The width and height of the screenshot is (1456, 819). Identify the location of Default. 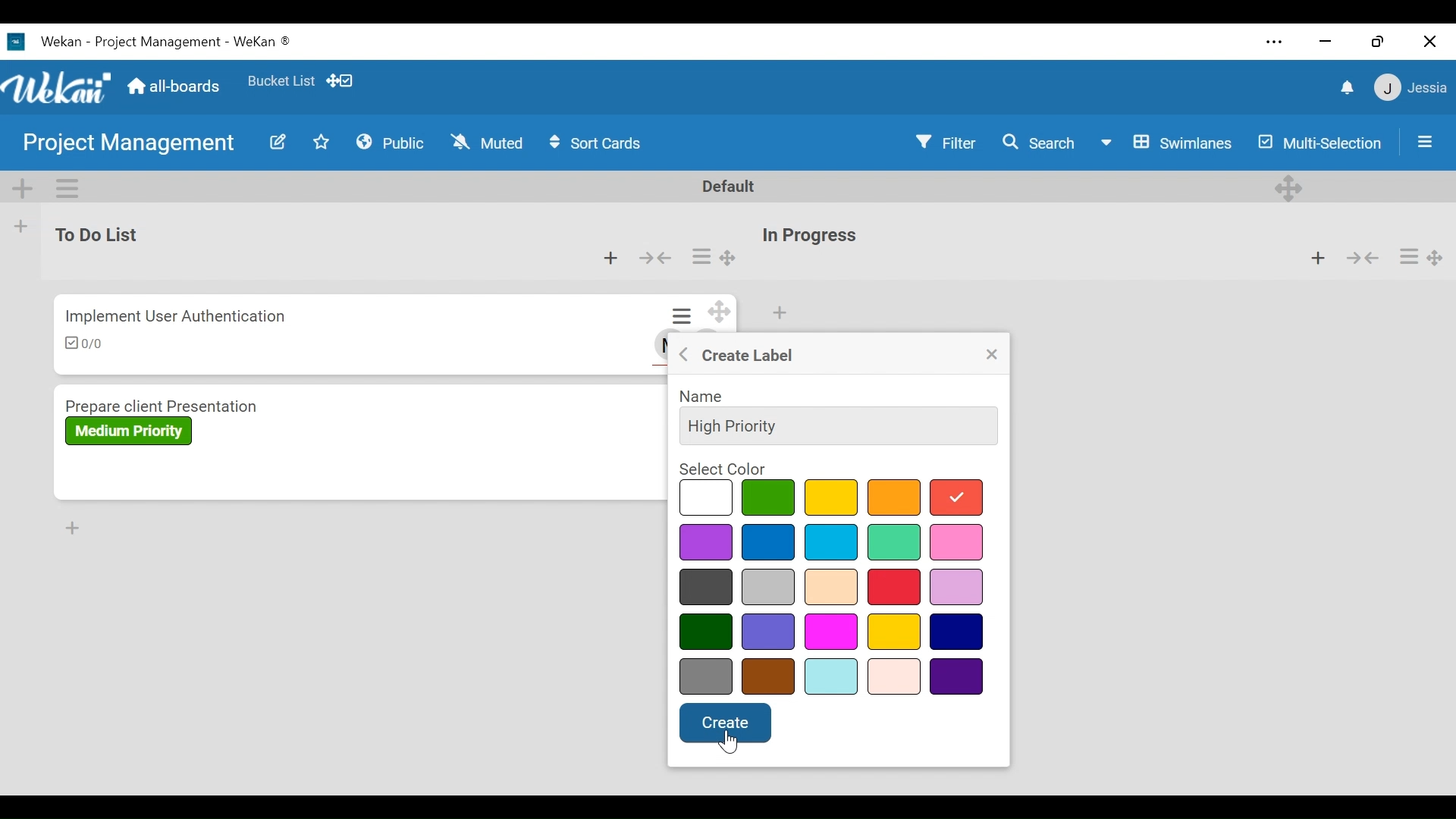
(731, 186).